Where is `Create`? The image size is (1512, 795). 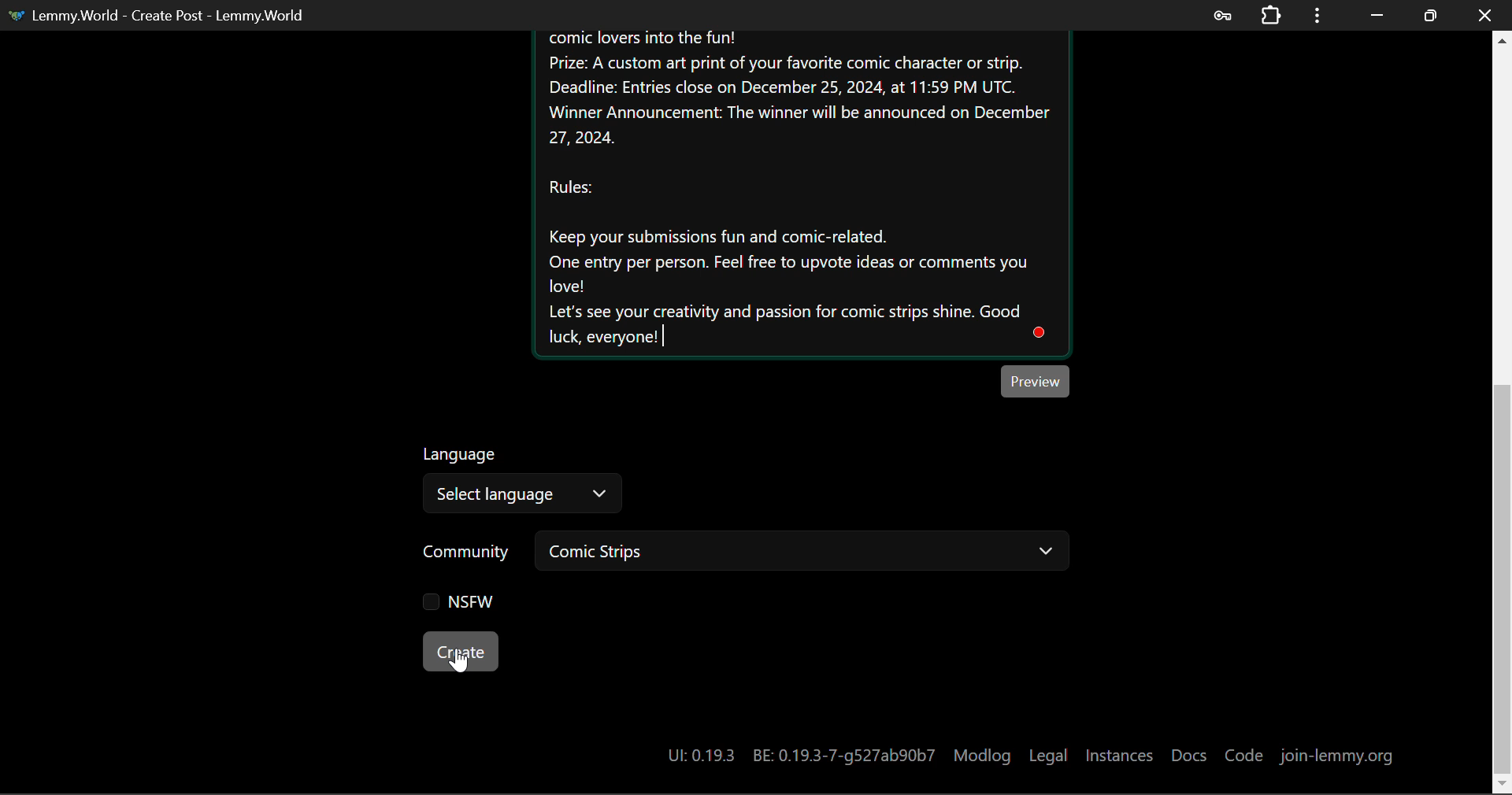
Create is located at coordinates (460, 650).